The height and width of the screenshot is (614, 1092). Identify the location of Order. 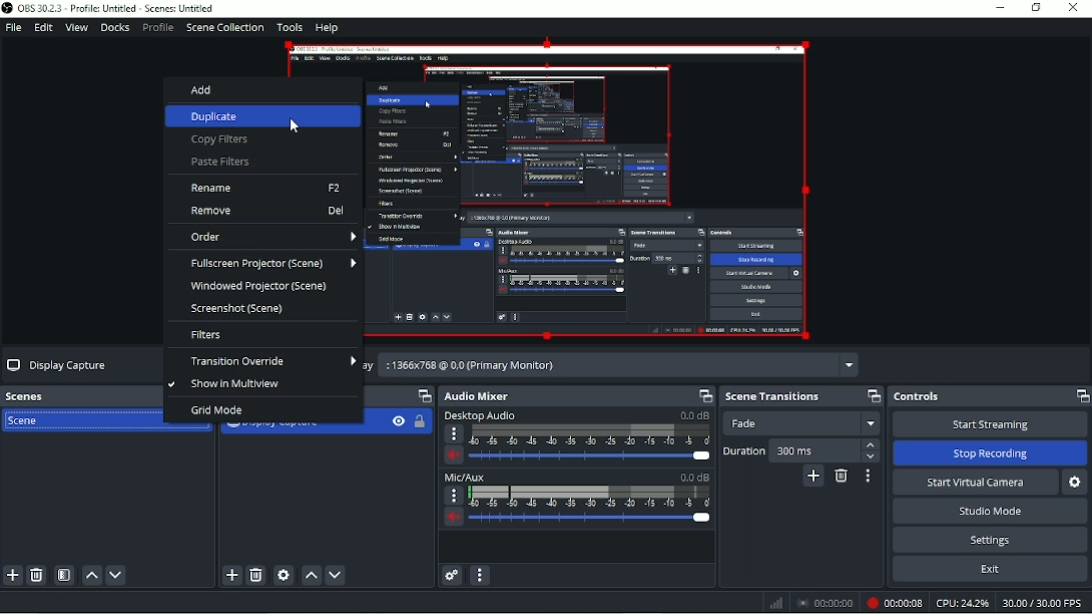
(271, 237).